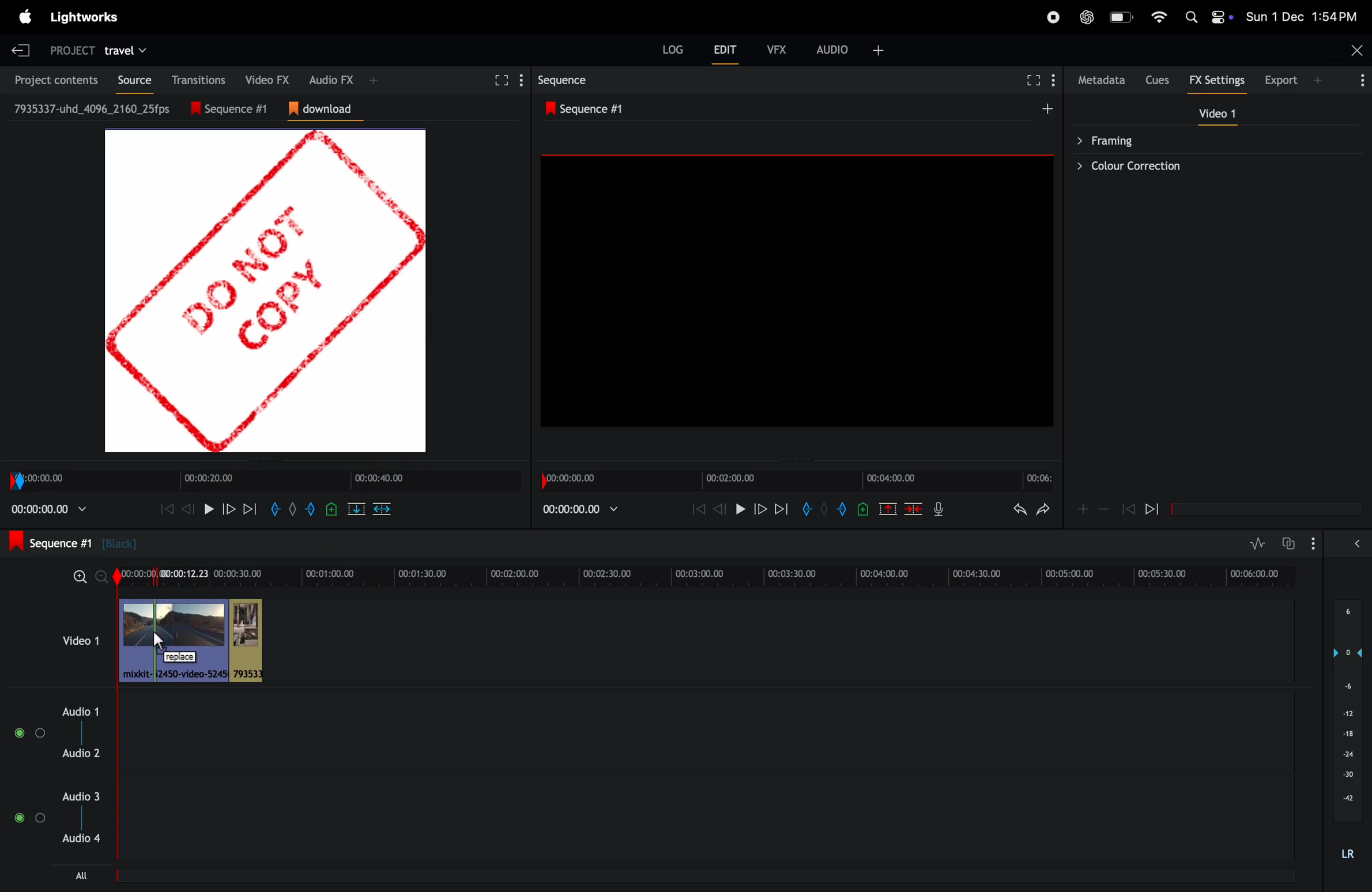 The height and width of the screenshot is (892, 1372). What do you see at coordinates (1159, 80) in the screenshot?
I see `cues` at bounding box center [1159, 80].